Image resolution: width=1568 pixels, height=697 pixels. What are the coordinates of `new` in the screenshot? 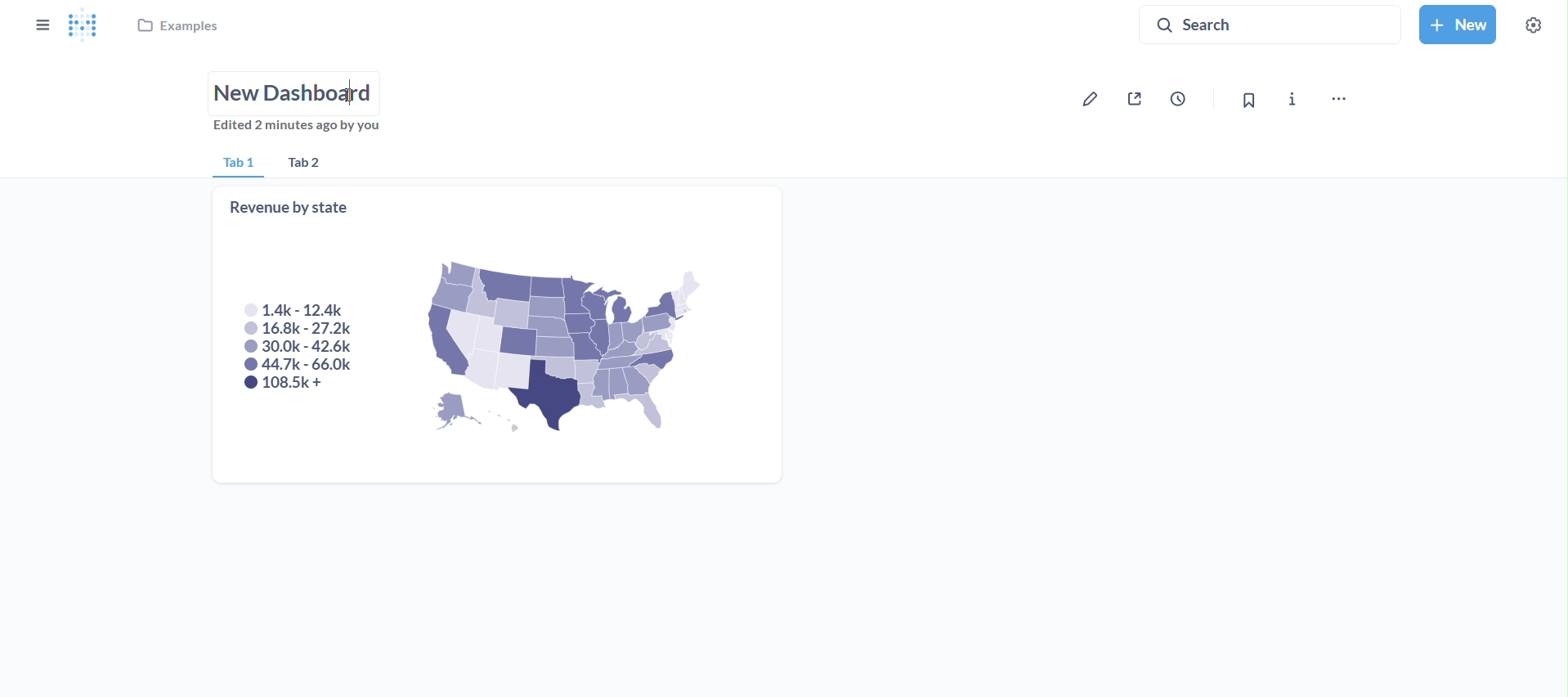 It's located at (1456, 22).